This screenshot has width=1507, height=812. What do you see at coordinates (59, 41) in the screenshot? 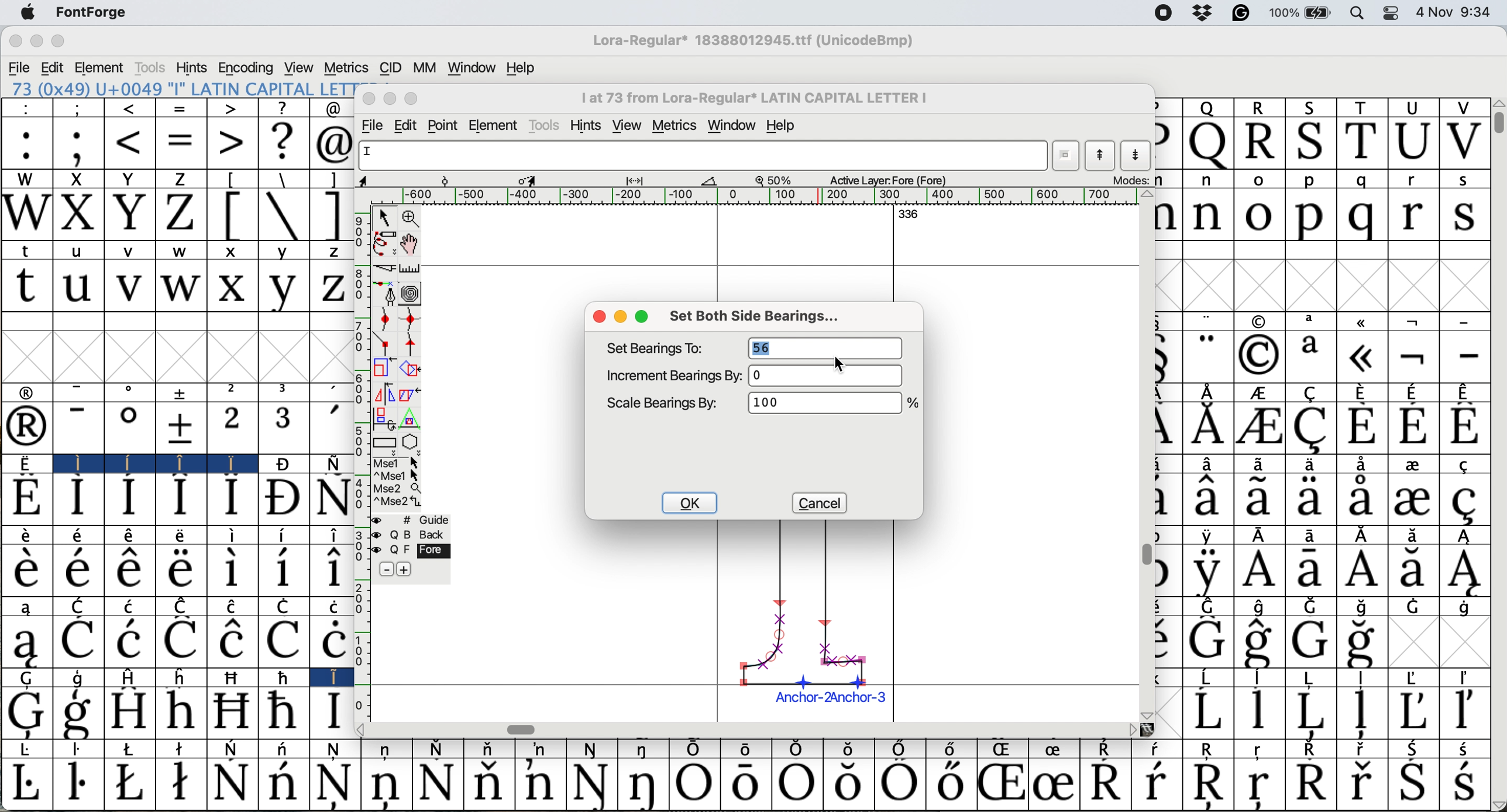
I see `maximize` at bounding box center [59, 41].